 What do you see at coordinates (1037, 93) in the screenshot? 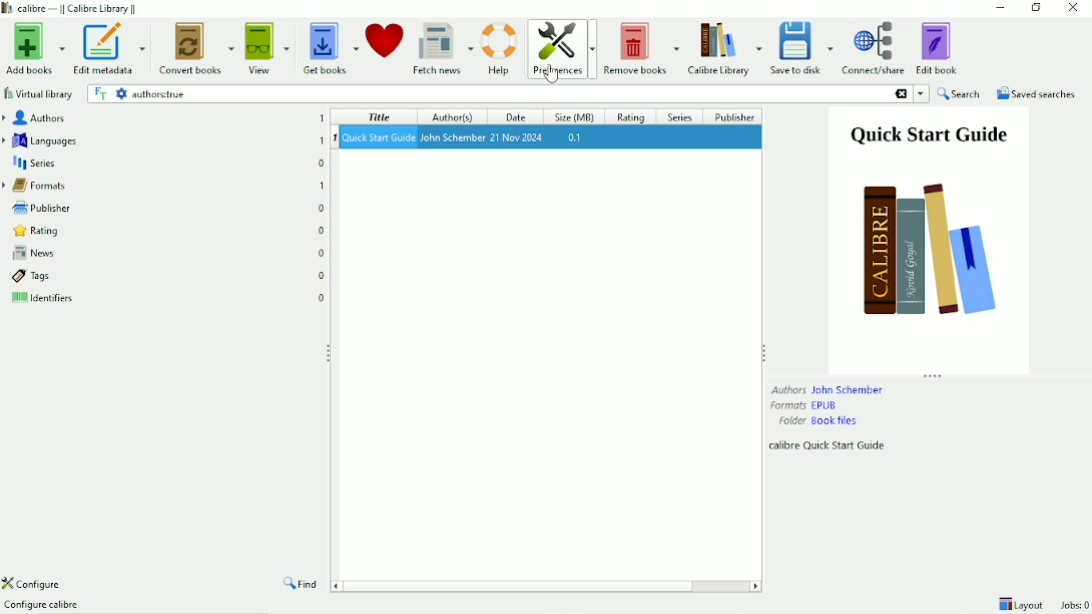
I see `Saved searches` at bounding box center [1037, 93].